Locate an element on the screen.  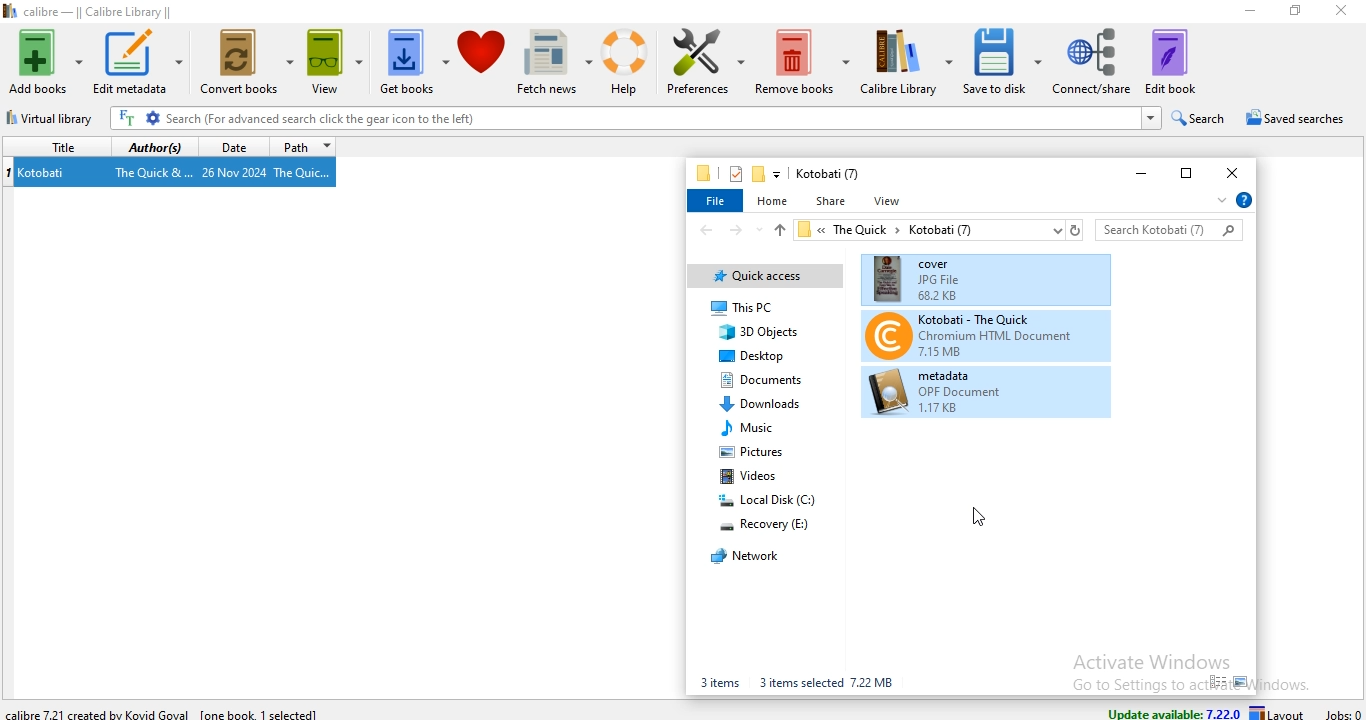
large icon view is located at coordinates (1242, 682).